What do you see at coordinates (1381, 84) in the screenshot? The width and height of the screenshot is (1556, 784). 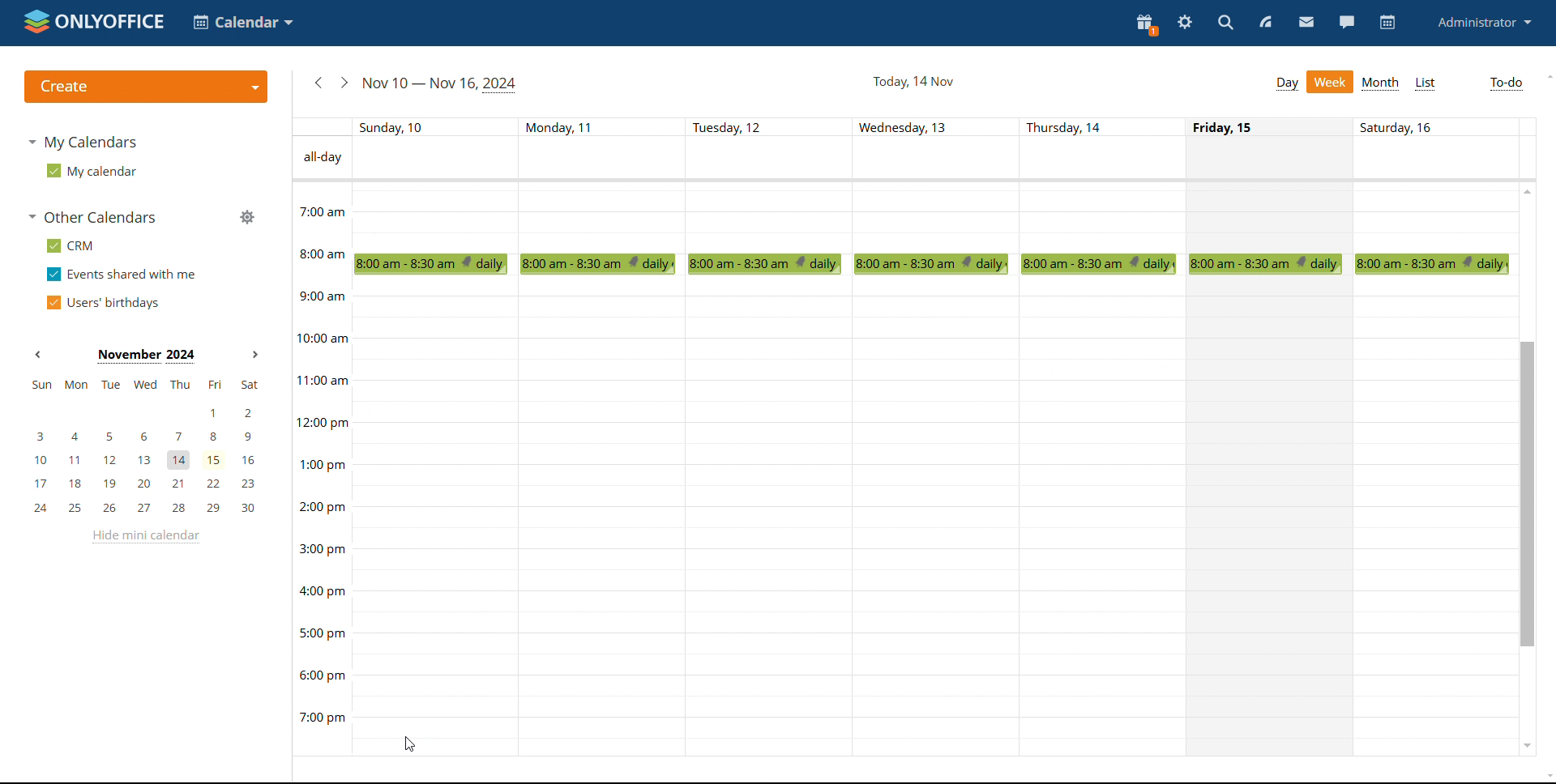 I see `month view` at bounding box center [1381, 84].